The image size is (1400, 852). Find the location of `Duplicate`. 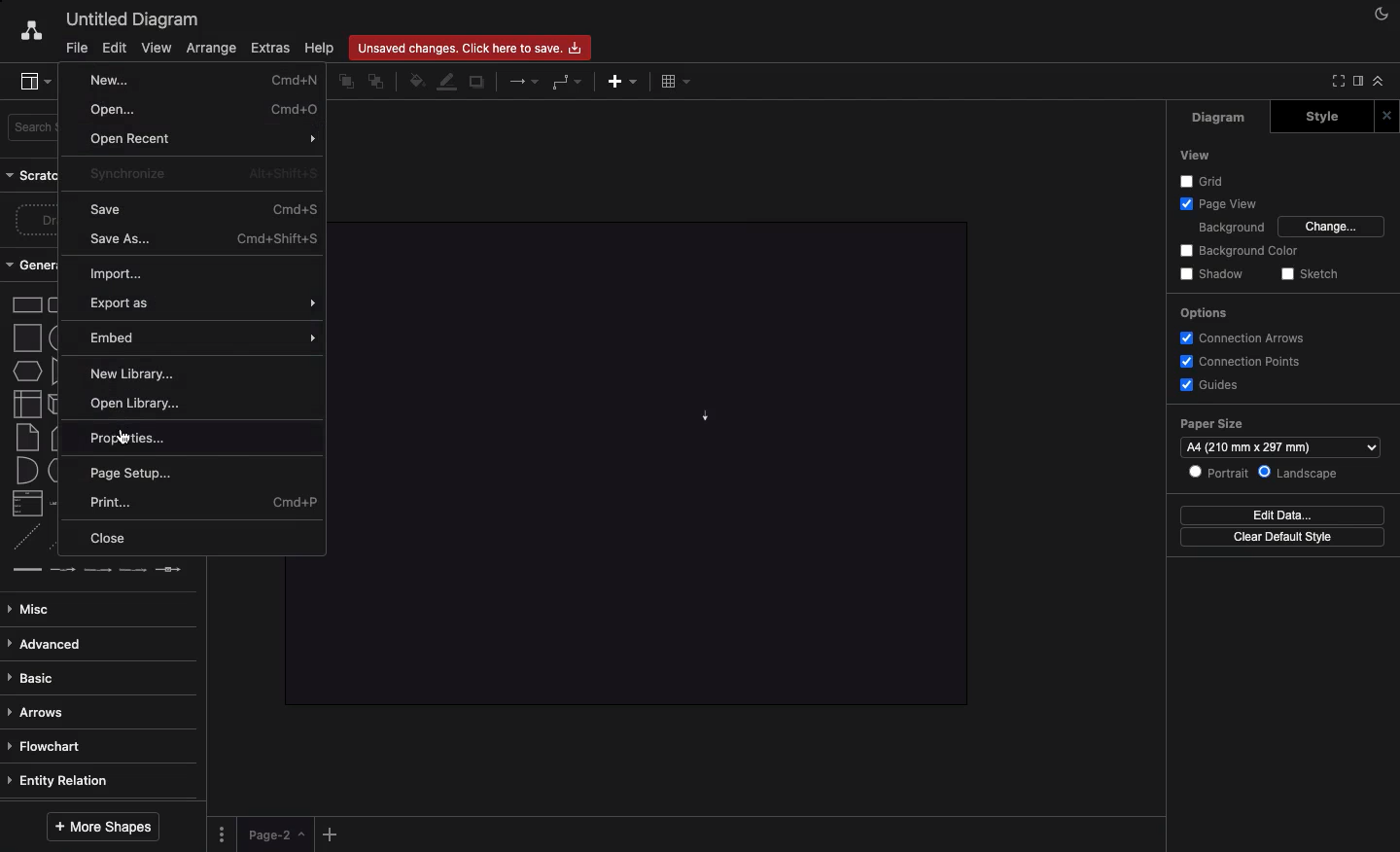

Duplicate is located at coordinates (476, 84).